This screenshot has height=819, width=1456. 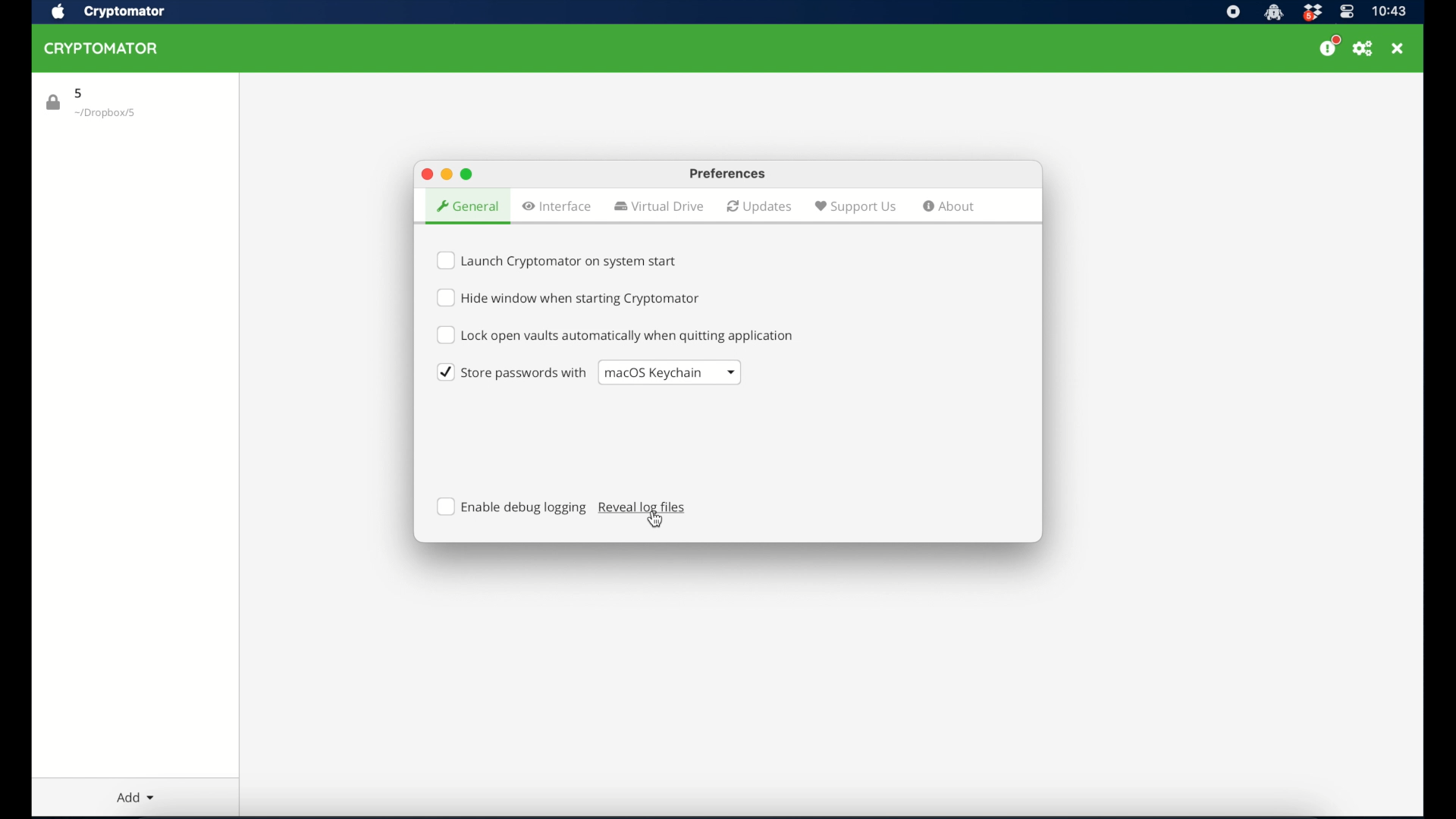 What do you see at coordinates (124, 12) in the screenshot?
I see `cryptomator` at bounding box center [124, 12].